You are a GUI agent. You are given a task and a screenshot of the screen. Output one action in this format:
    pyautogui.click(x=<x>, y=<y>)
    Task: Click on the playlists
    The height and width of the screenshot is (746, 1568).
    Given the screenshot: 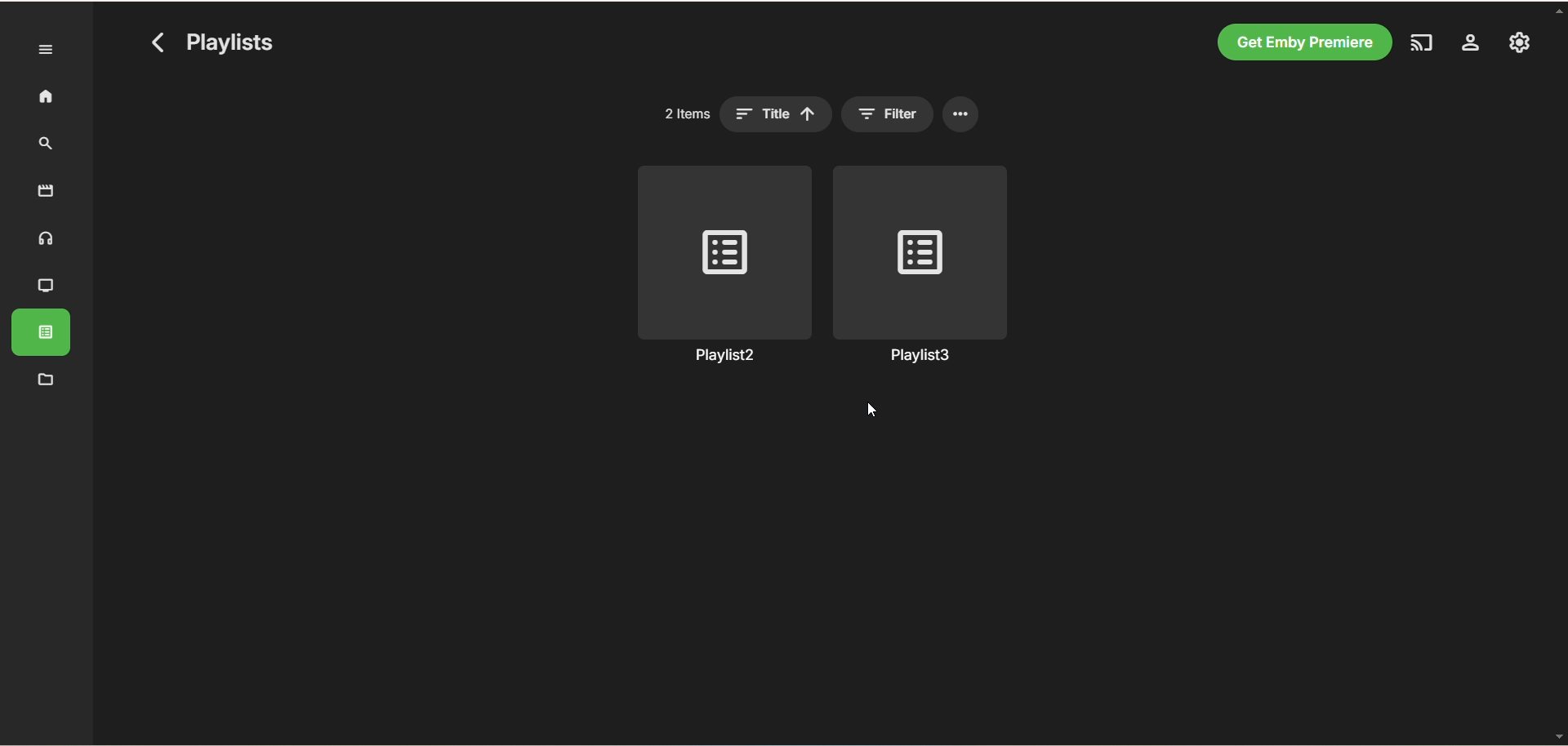 What is the action you would take?
    pyautogui.click(x=230, y=42)
    